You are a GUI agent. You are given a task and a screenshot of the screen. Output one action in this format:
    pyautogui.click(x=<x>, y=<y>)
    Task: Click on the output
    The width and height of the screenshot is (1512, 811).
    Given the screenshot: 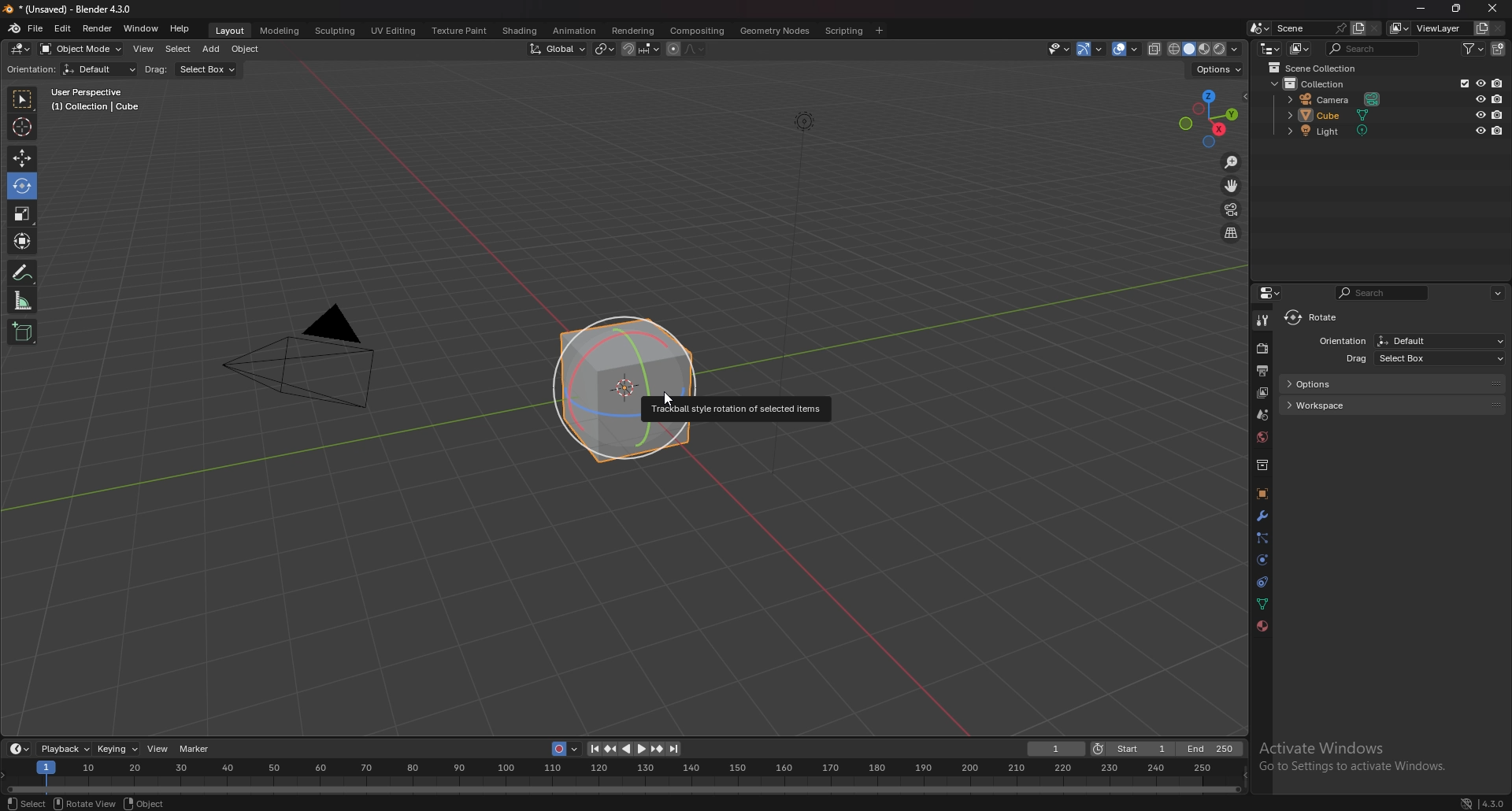 What is the action you would take?
    pyautogui.click(x=1262, y=370)
    